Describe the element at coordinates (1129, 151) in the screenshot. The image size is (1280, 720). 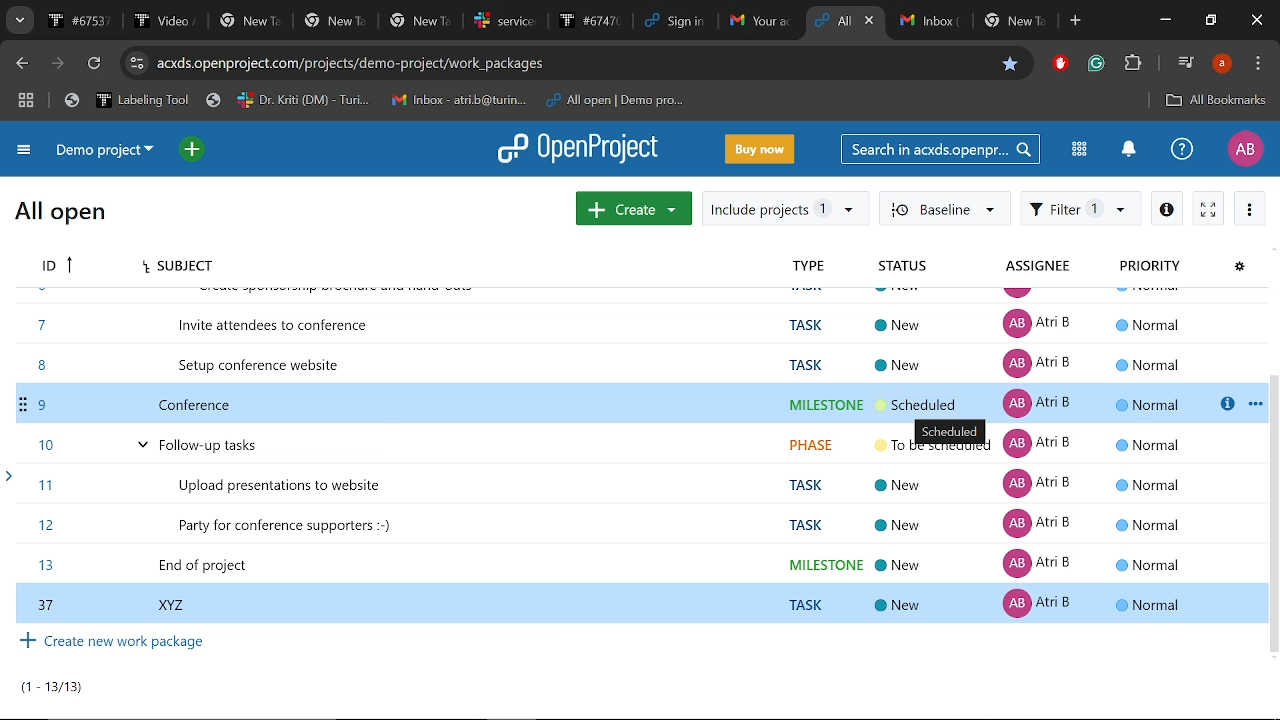
I see `Notifications` at that location.